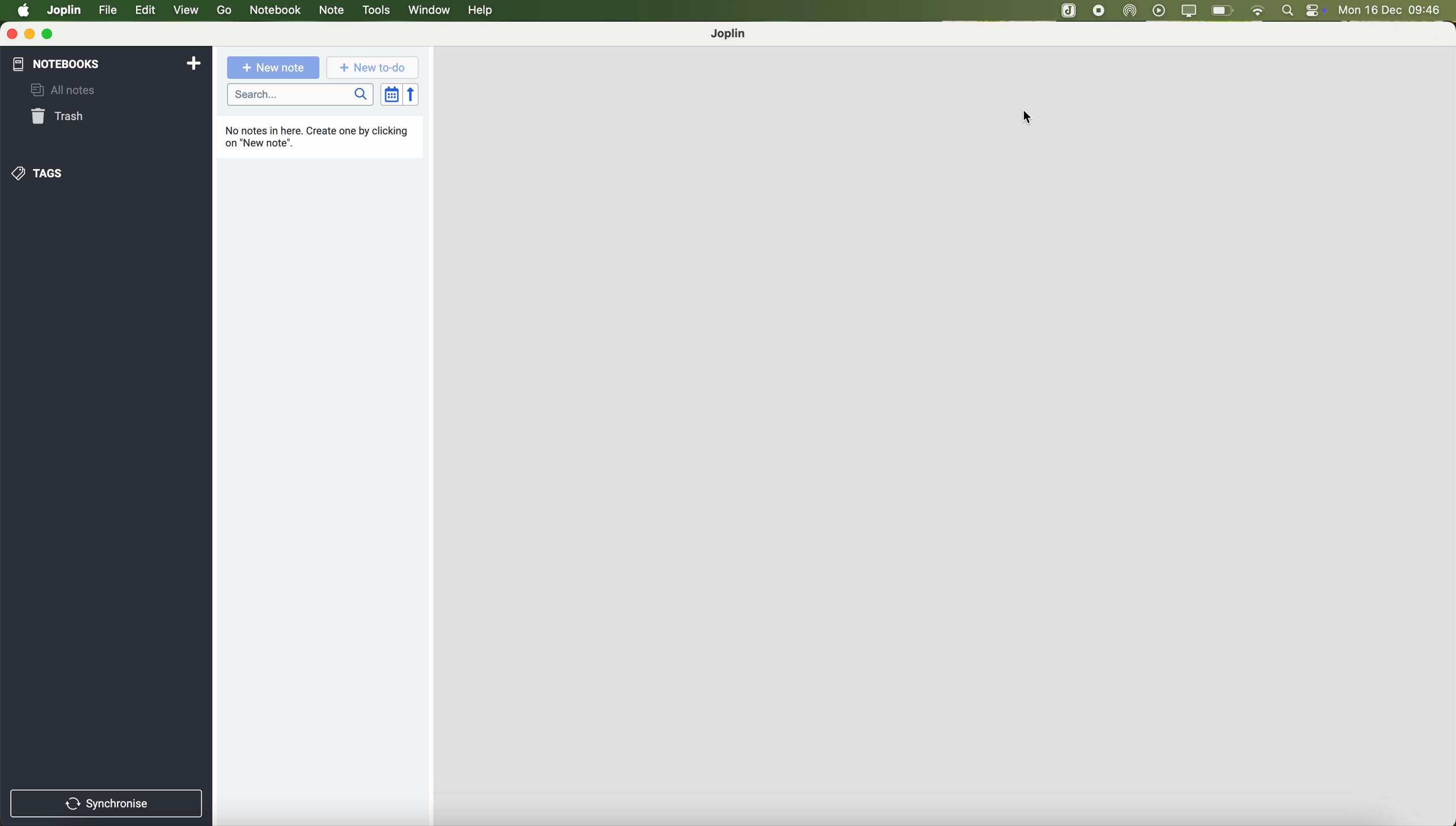 Image resolution: width=1456 pixels, height=826 pixels. What do you see at coordinates (371, 69) in the screenshot?
I see `new to-do` at bounding box center [371, 69].